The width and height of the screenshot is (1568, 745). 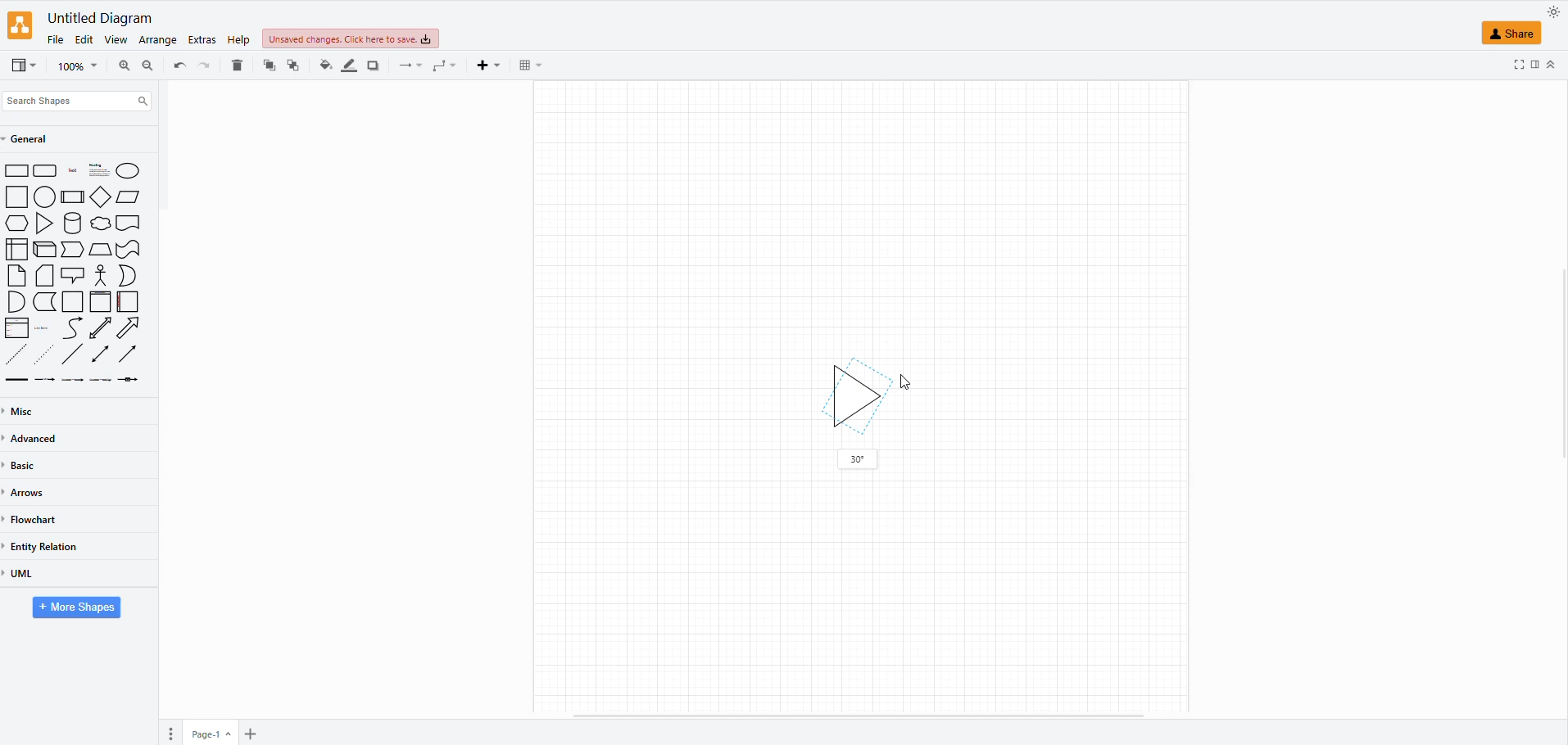 What do you see at coordinates (100, 170) in the screenshot?
I see `Subtitle` at bounding box center [100, 170].